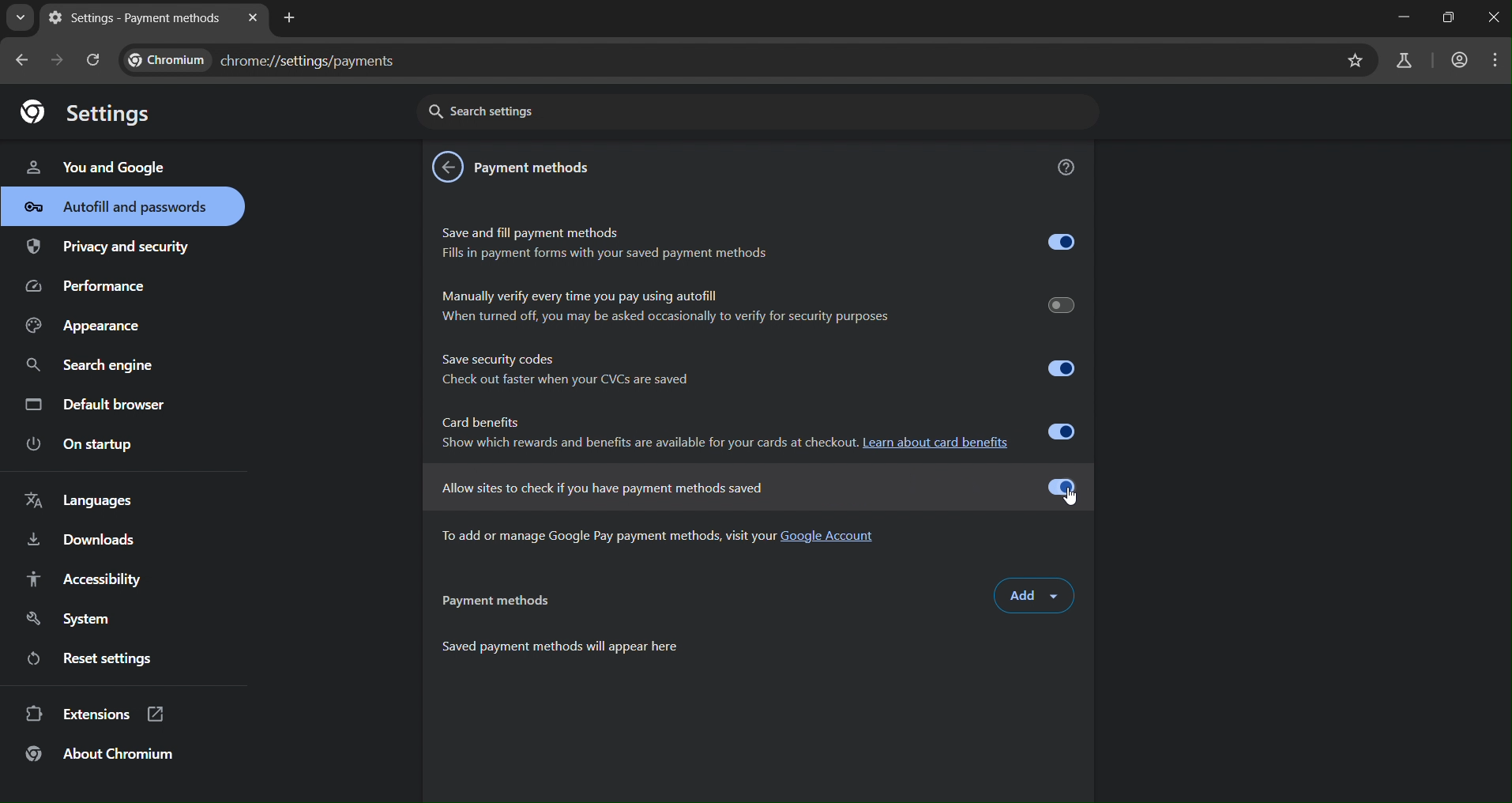  What do you see at coordinates (87, 286) in the screenshot?
I see `performance` at bounding box center [87, 286].